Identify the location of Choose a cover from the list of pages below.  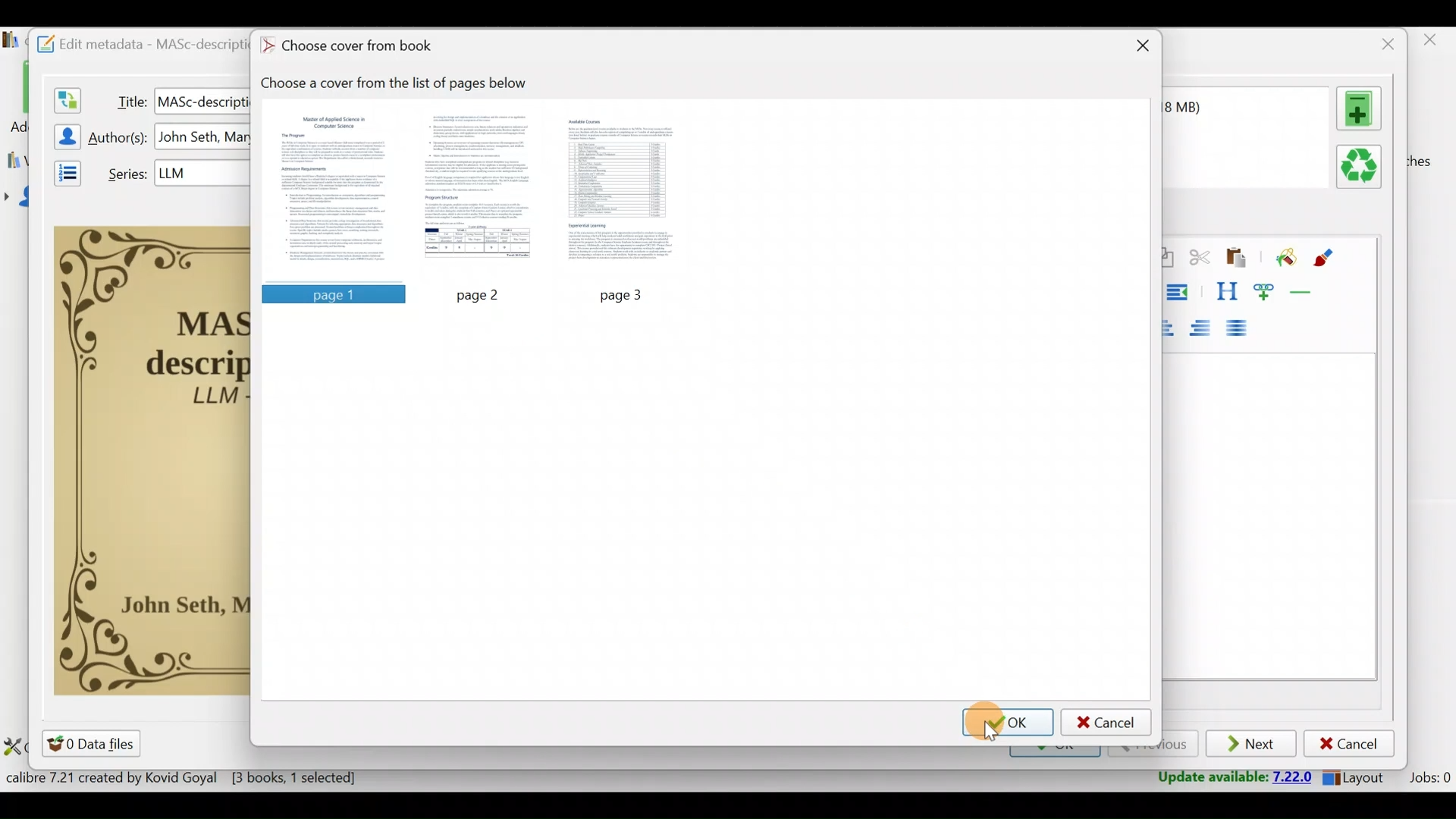
(402, 83).